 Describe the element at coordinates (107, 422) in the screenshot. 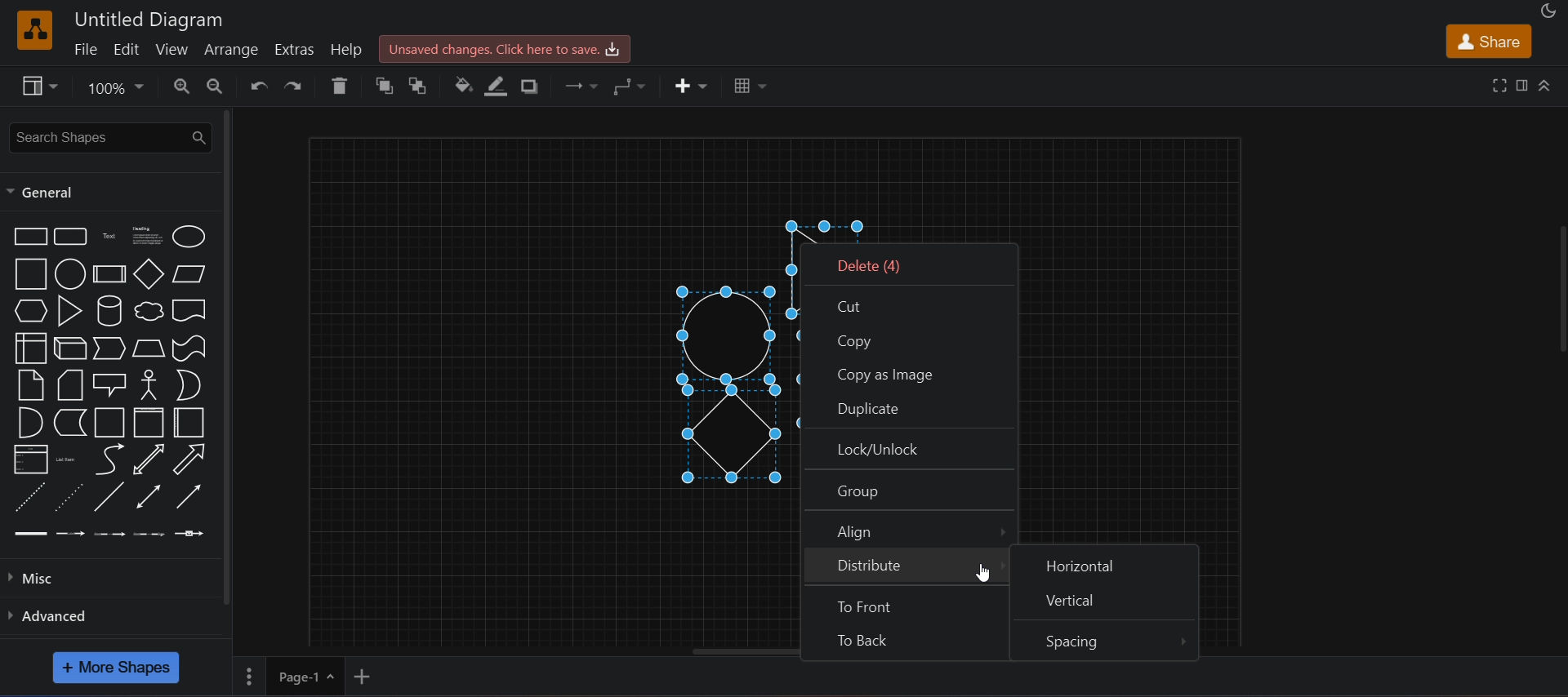

I see `container` at that location.